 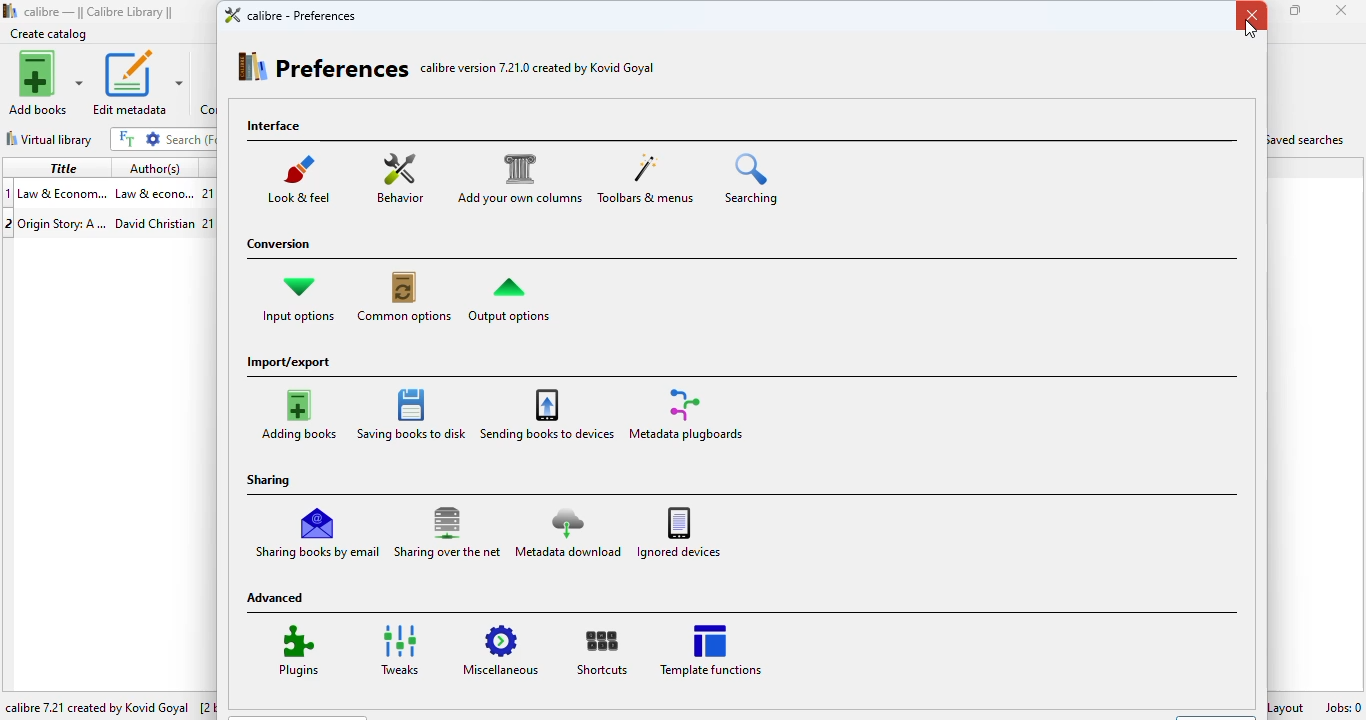 What do you see at coordinates (98, 707) in the screenshot?
I see `calibre 7.21 created by Kovid Goyal` at bounding box center [98, 707].